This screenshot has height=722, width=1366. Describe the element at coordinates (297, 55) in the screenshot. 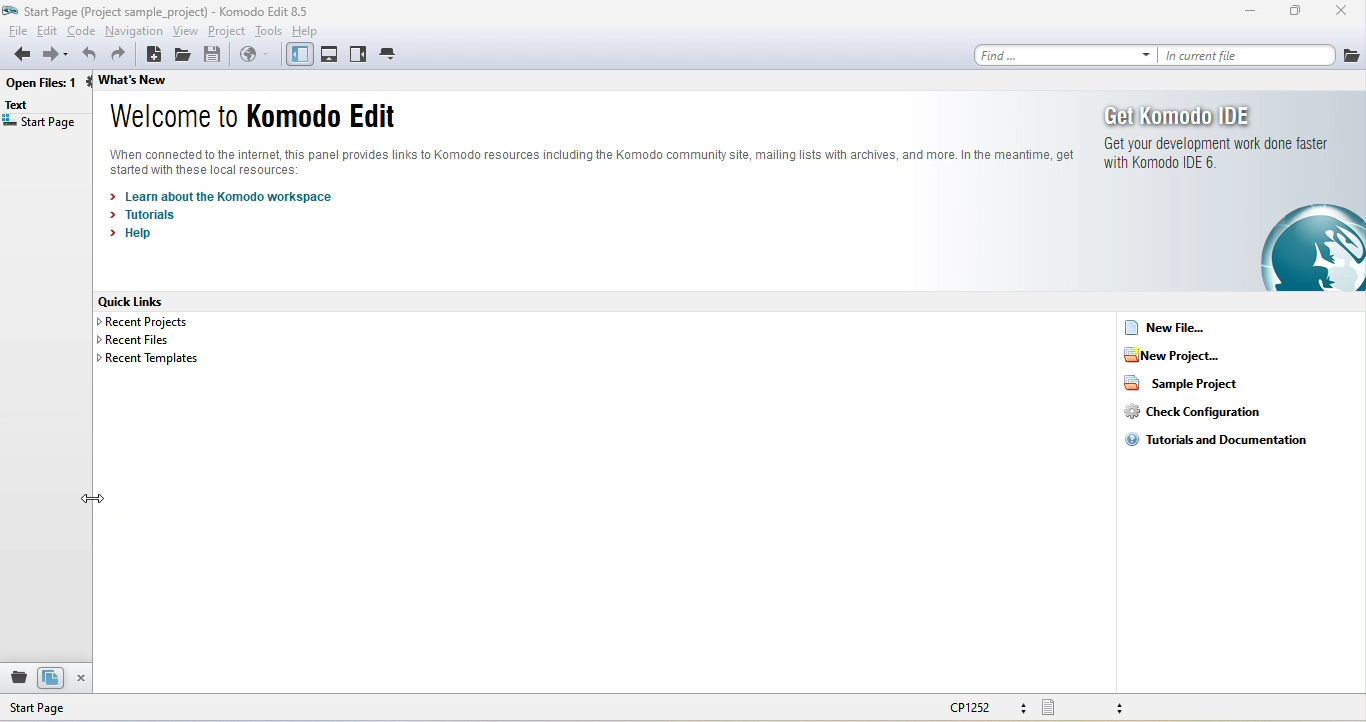

I see `left pane` at that location.